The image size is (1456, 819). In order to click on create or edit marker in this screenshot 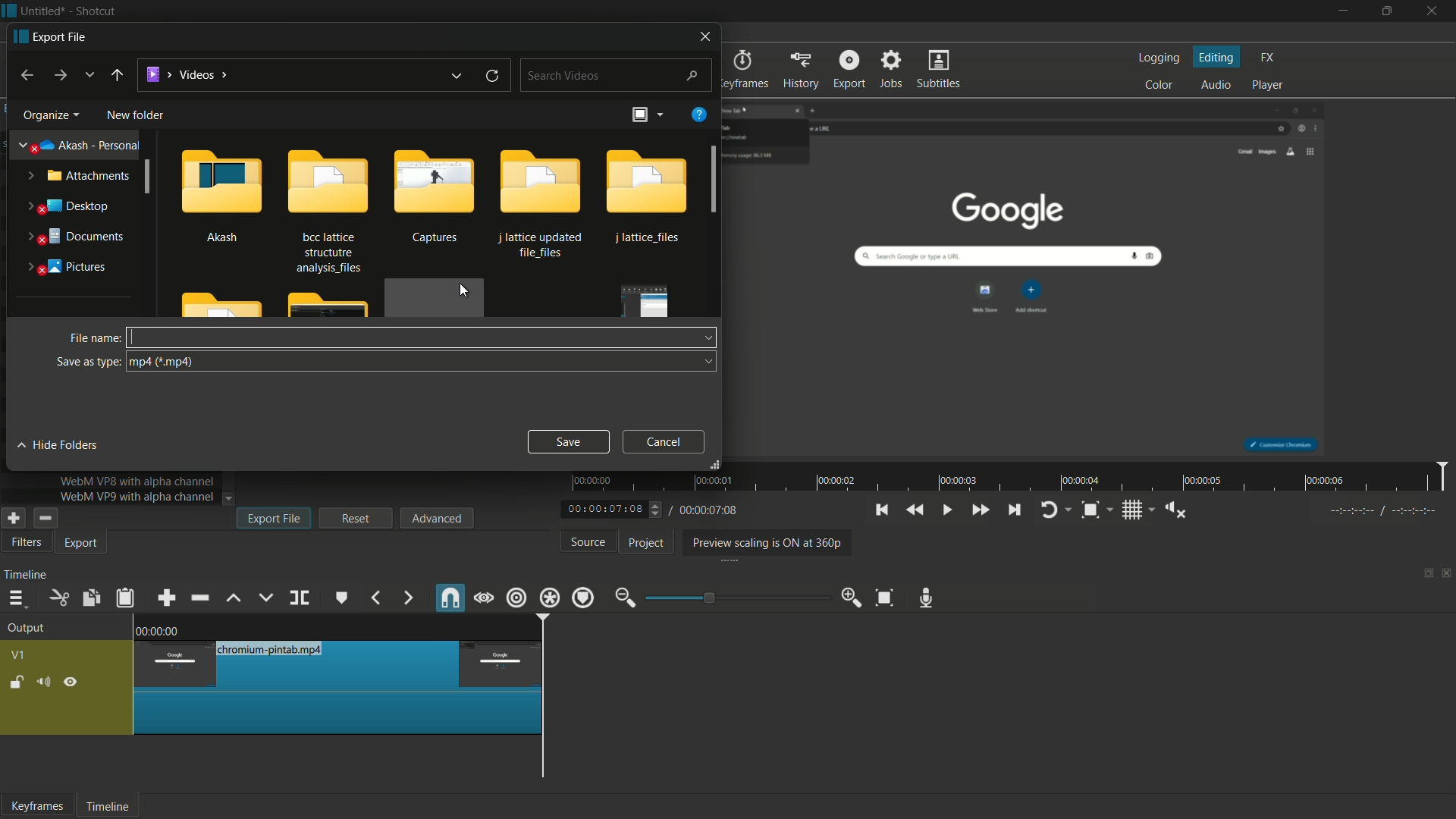, I will do `click(342, 598)`.